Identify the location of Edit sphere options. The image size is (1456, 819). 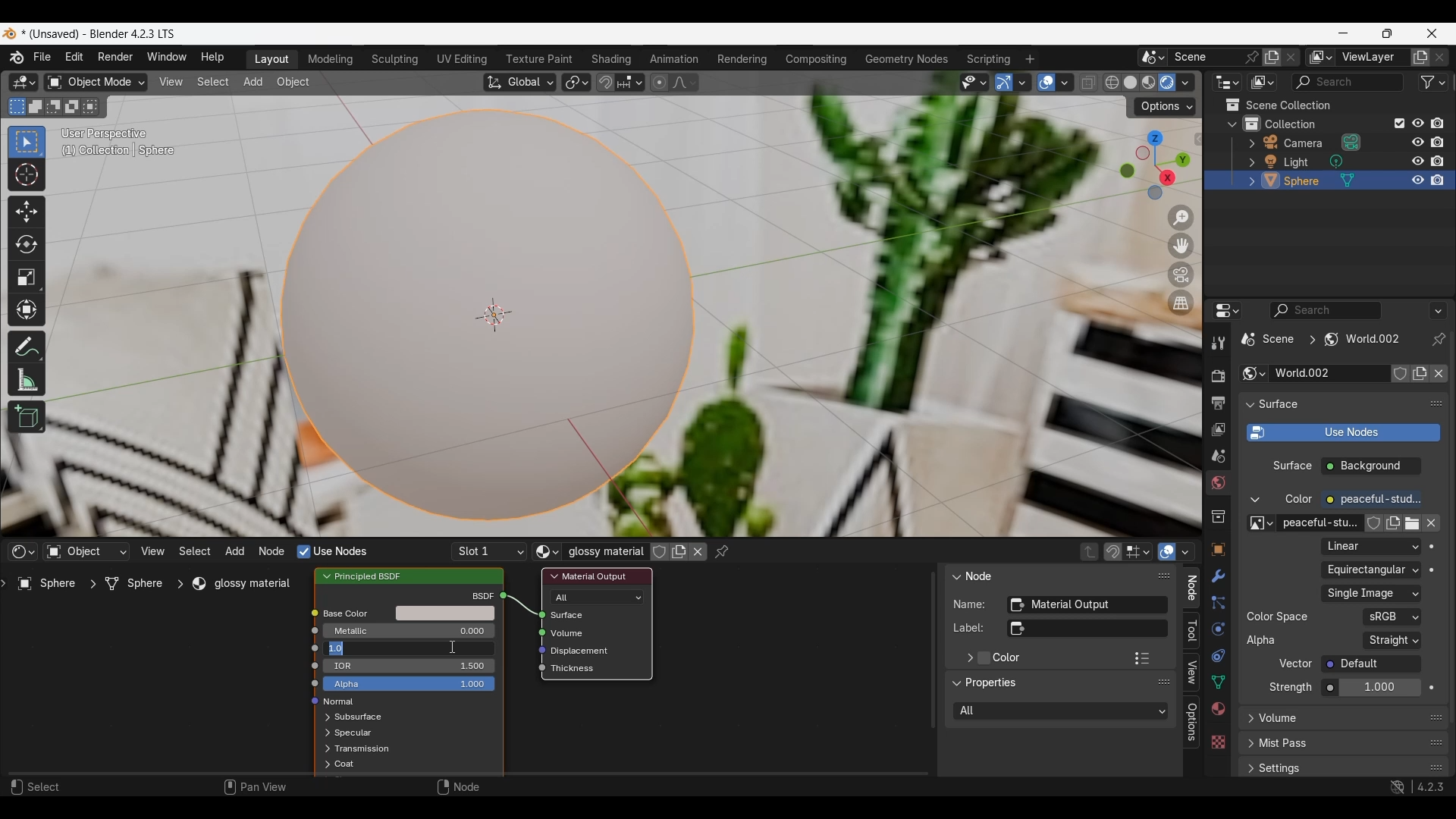
(1271, 180).